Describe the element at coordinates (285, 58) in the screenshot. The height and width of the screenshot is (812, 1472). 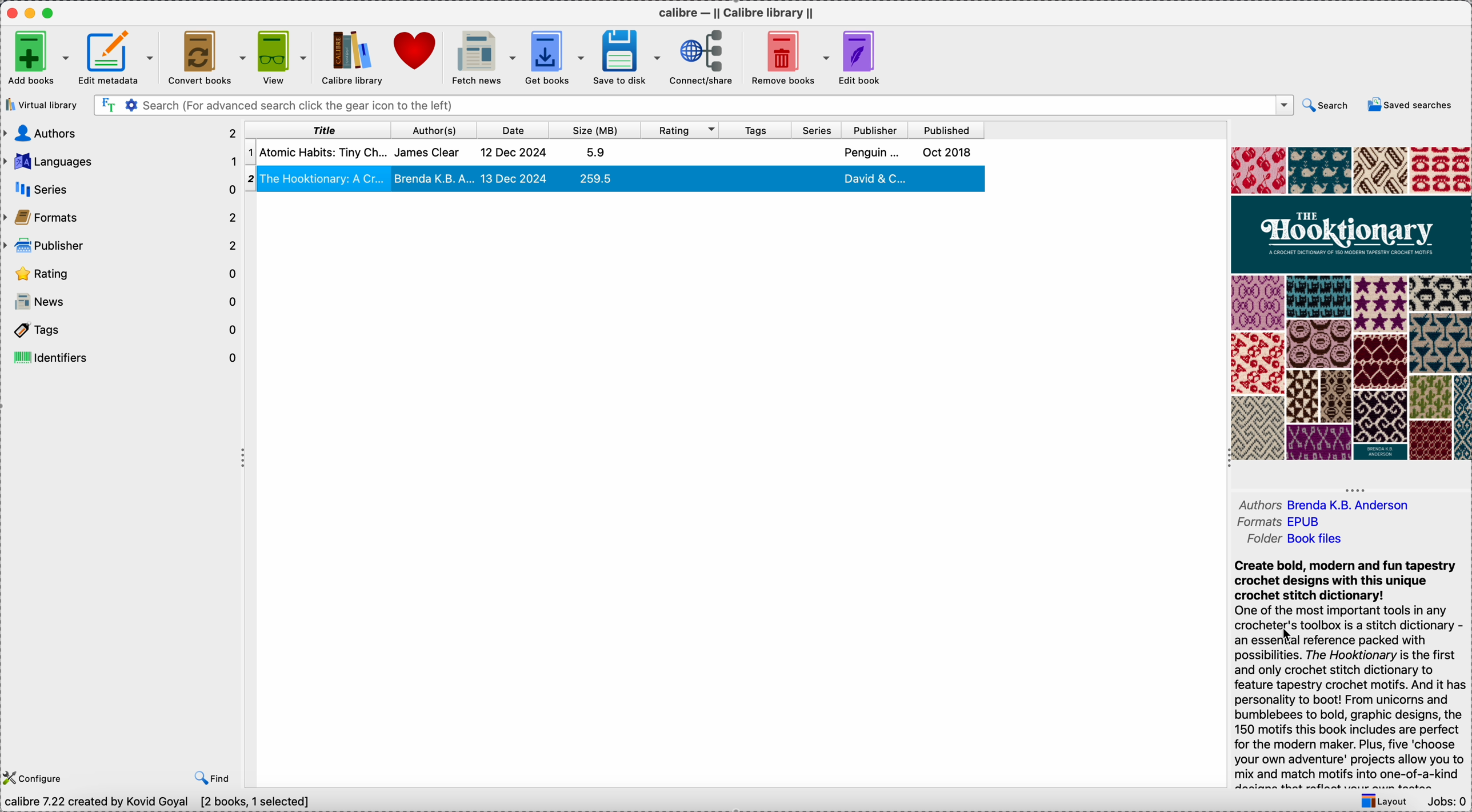
I see `view` at that location.